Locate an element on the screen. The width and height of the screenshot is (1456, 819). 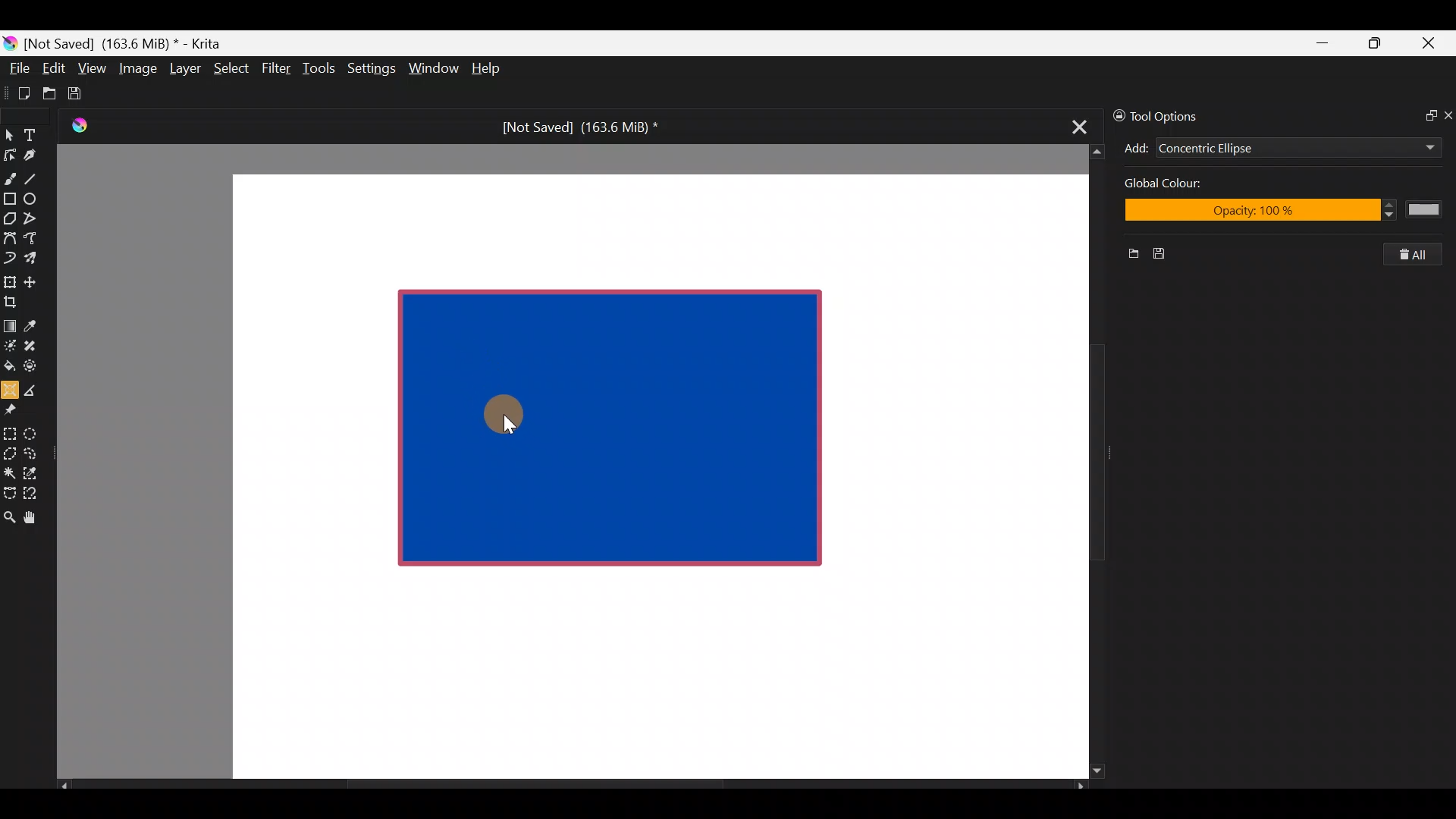
Canvas is located at coordinates (648, 475).